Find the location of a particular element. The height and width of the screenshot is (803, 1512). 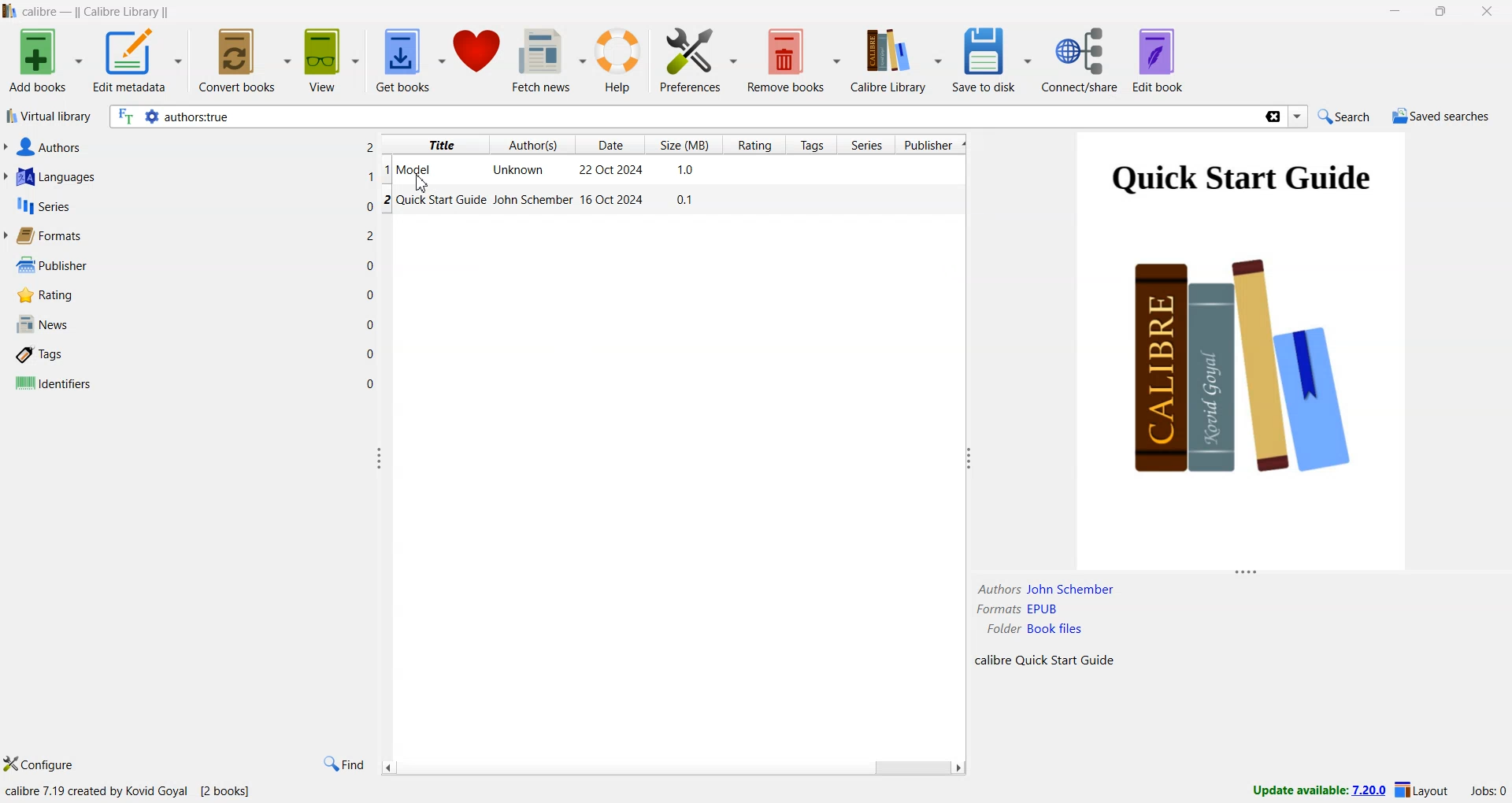

minimize is located at coordinates (1399, 13).